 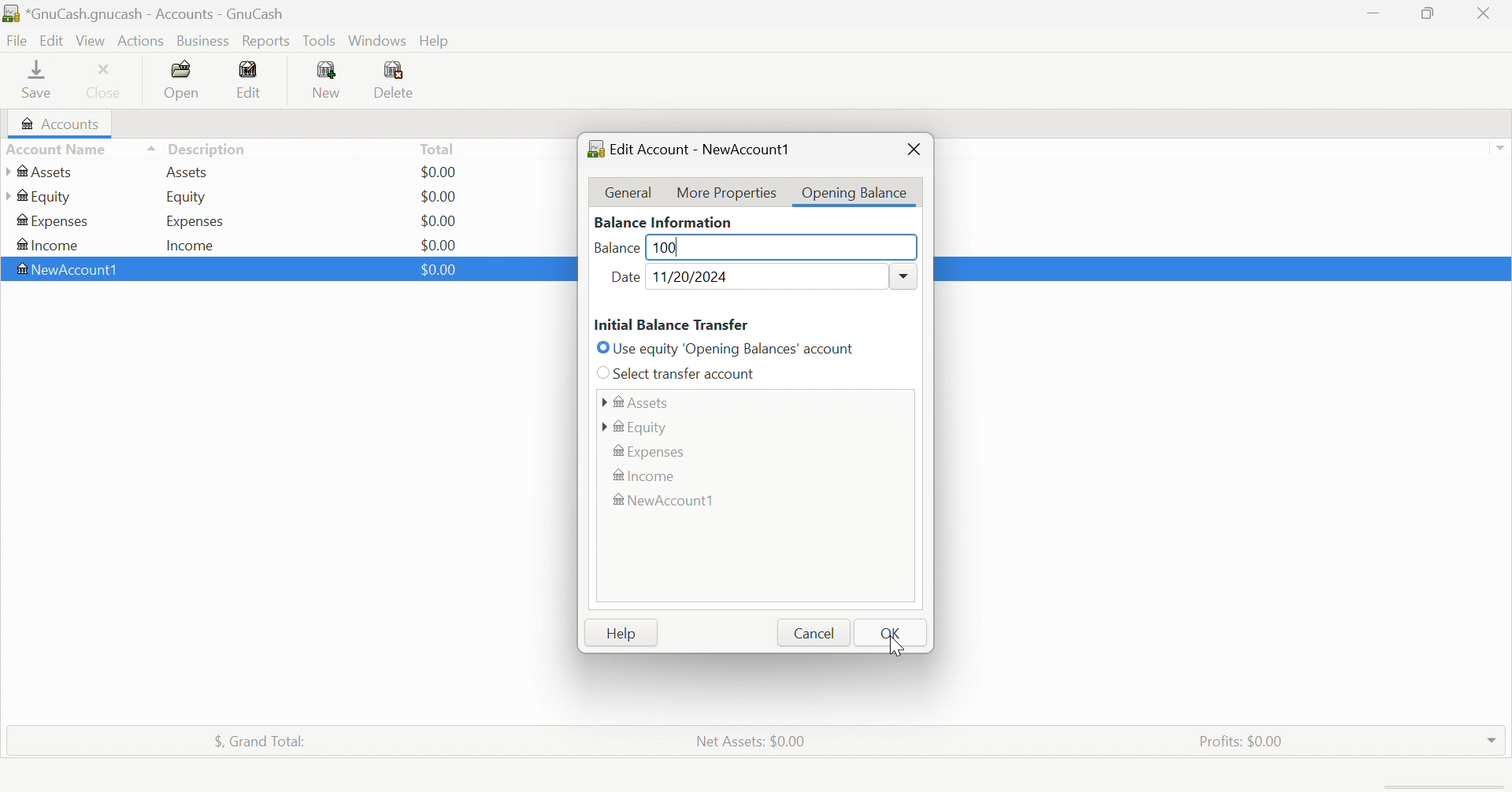 I want to click on Date, so click(x=626, y=279).